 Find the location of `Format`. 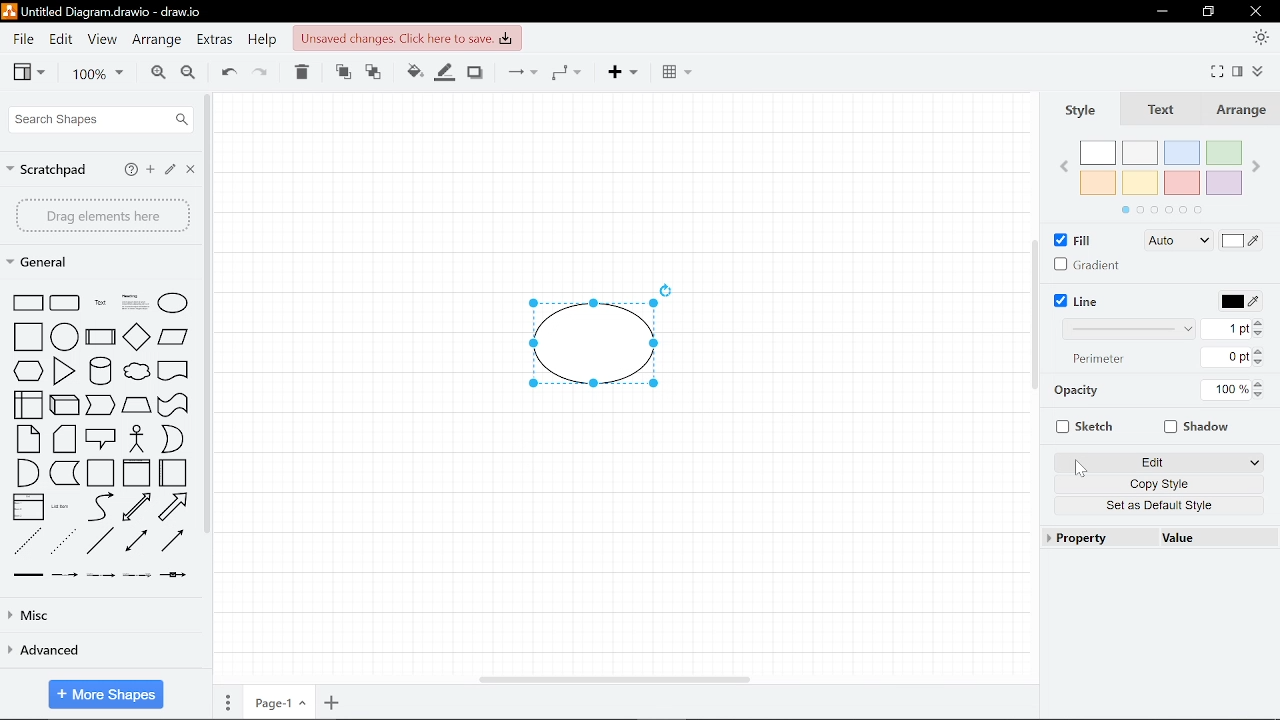

Format is located at coordinates (1237, 72).